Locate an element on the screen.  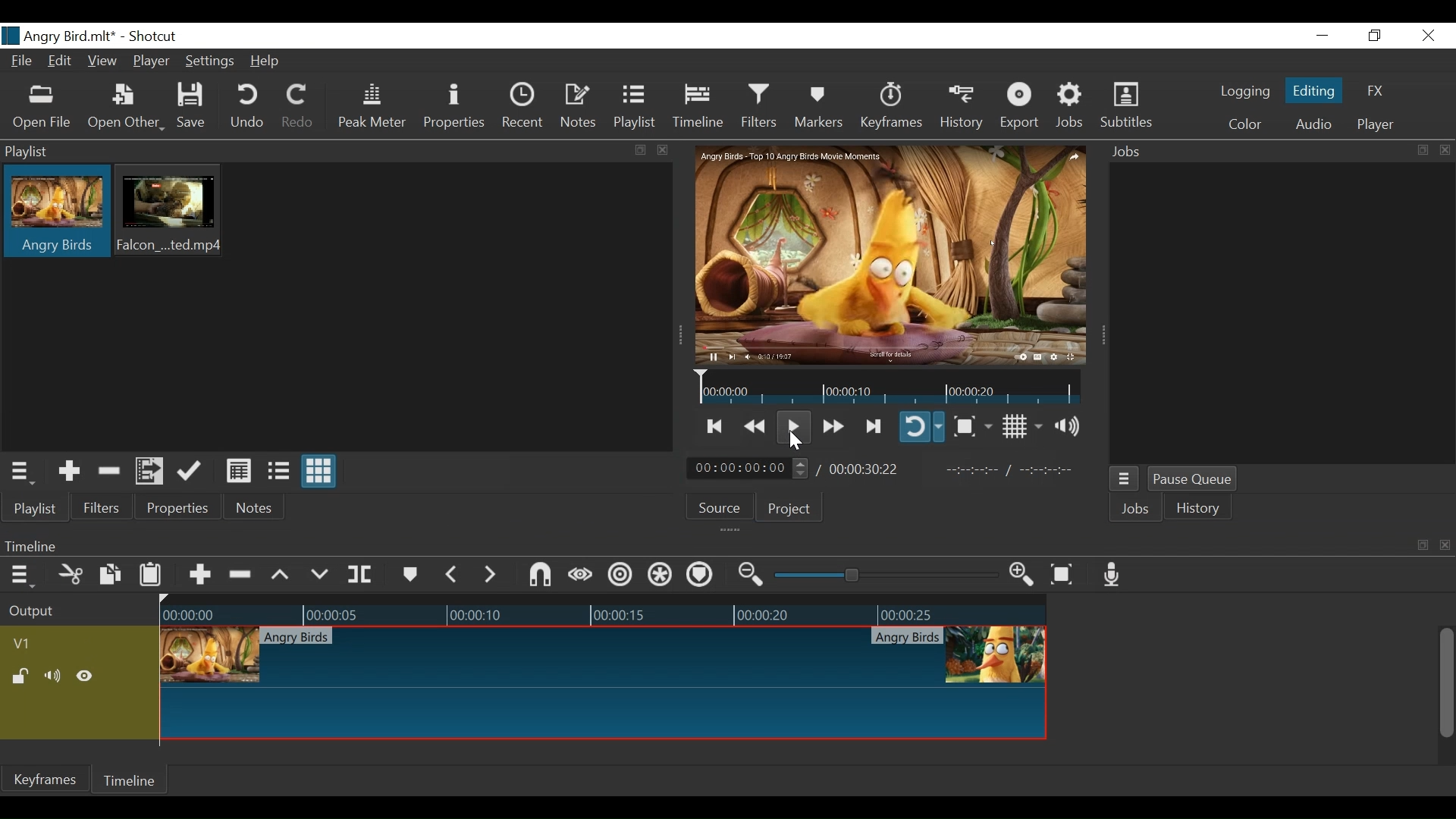
Timeline is located at coordinates (698, 108).